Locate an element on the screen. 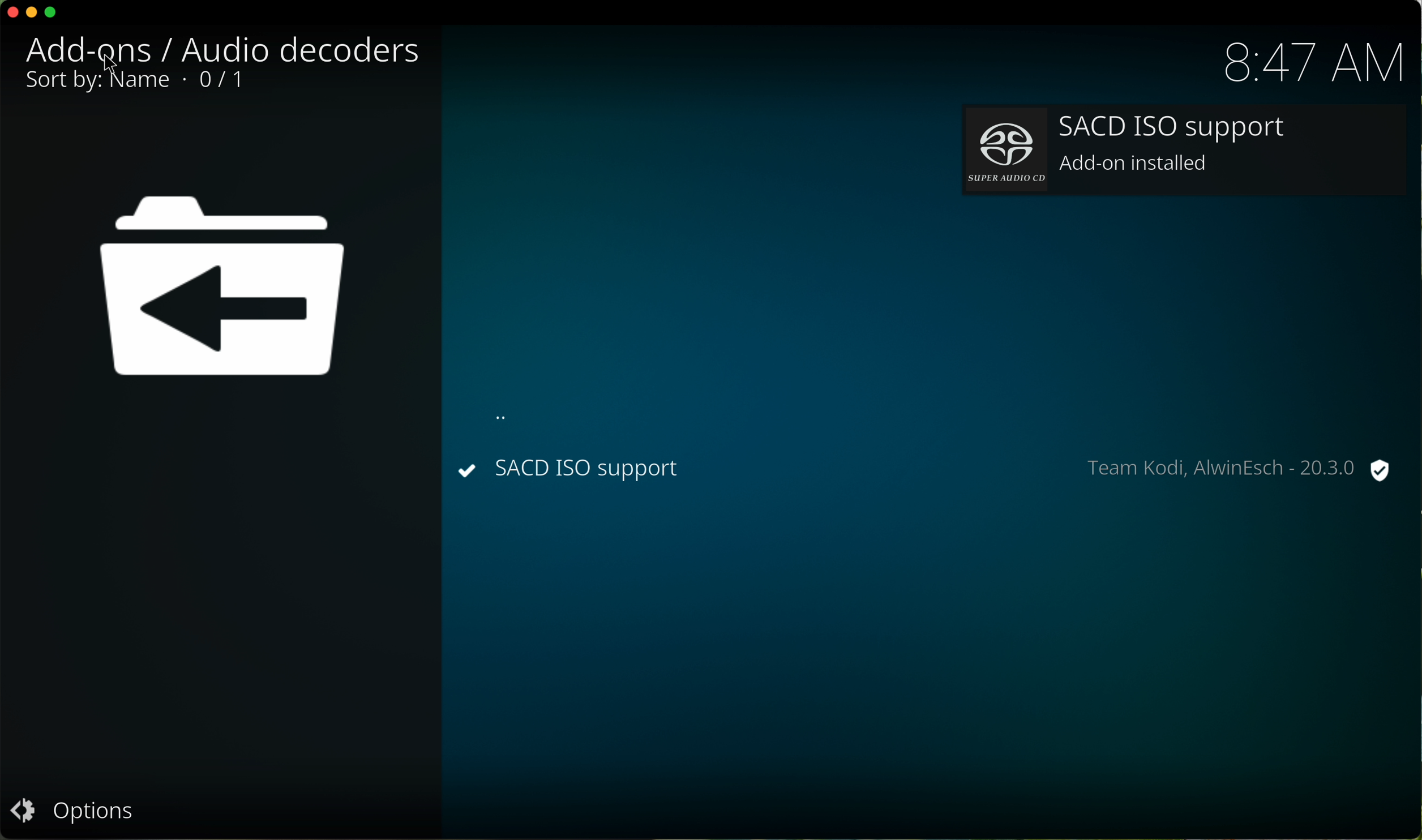 Image resolution: width=1422 pixels, height=840 pixels. options is located at coordinates (83, 807).